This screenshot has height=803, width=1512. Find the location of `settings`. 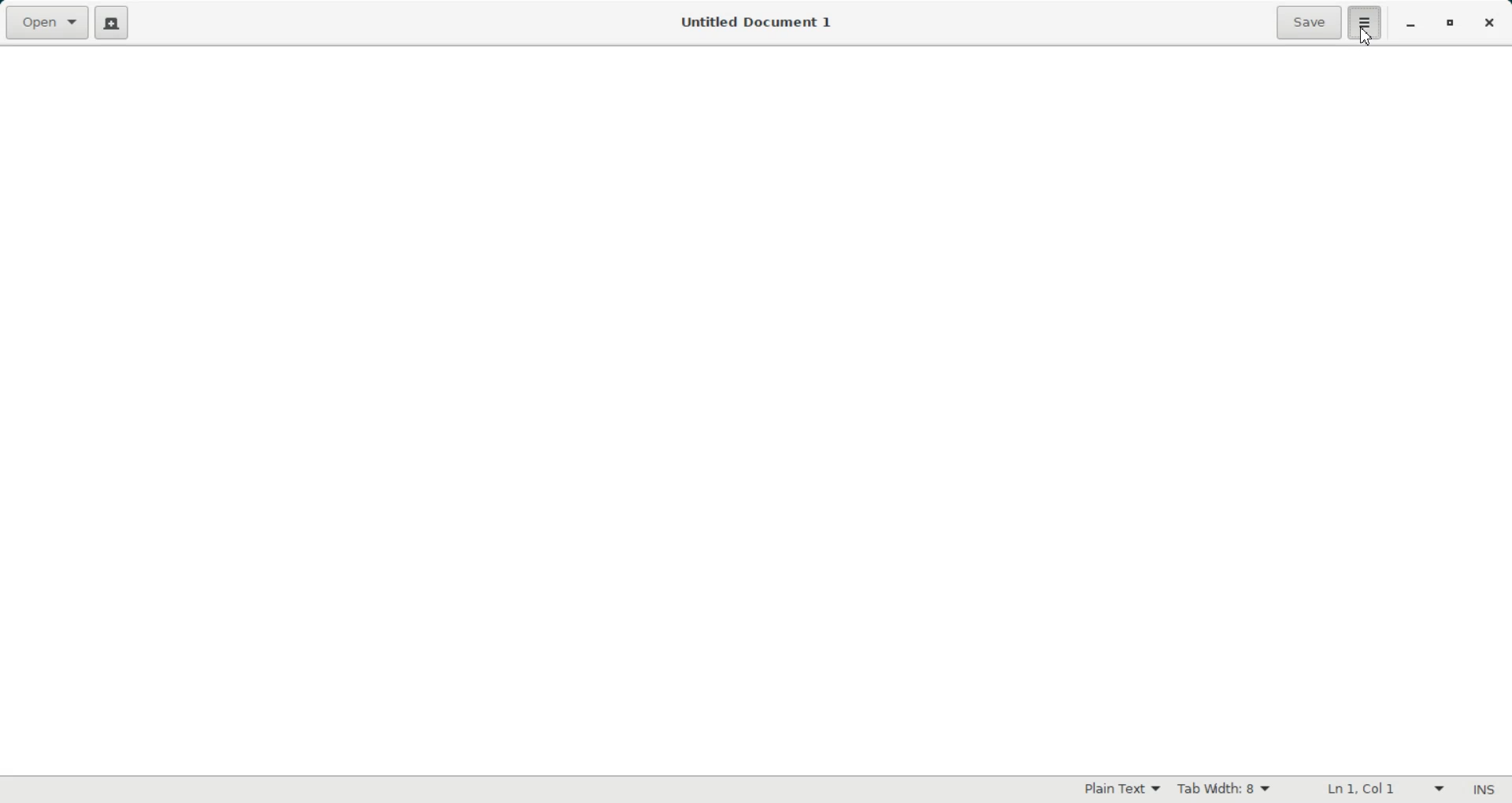

settings is located at coordinates (1364, 24).